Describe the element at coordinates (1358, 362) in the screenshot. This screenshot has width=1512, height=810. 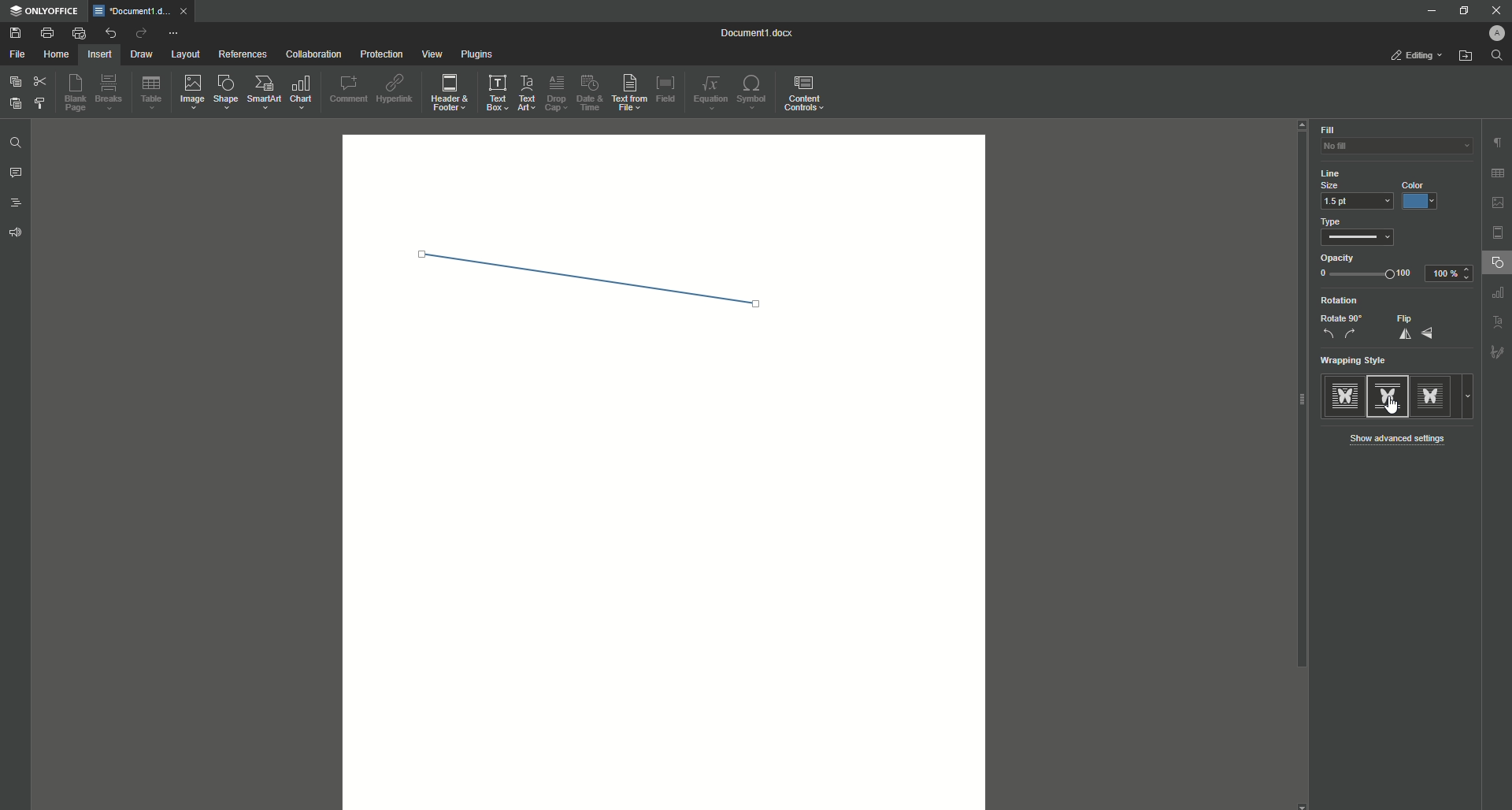
I see `Wrapping Style` at that location.